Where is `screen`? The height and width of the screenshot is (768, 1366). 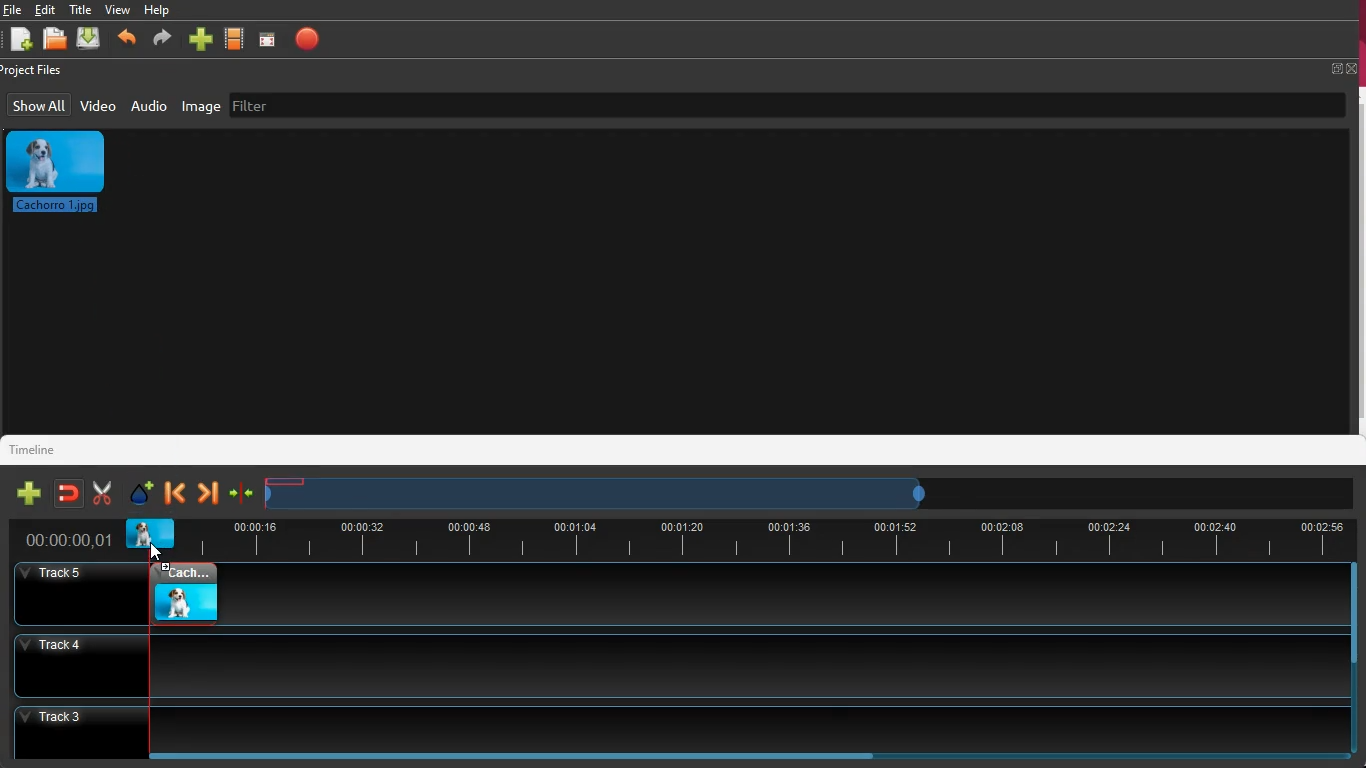 screen is located at coordinates (266, 42).